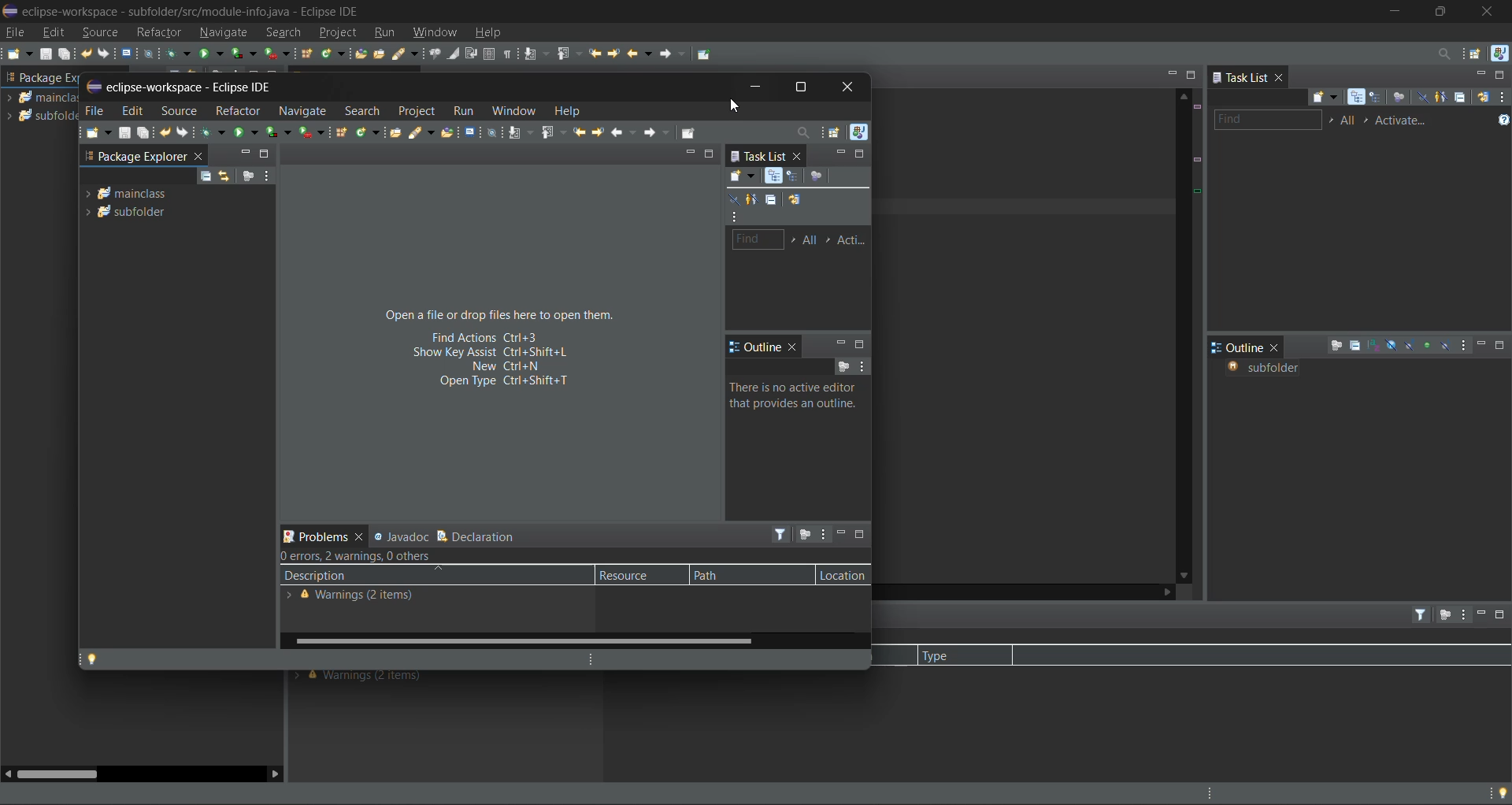 The image size is (1512, 805). I want to click on source, so click(98, 33).